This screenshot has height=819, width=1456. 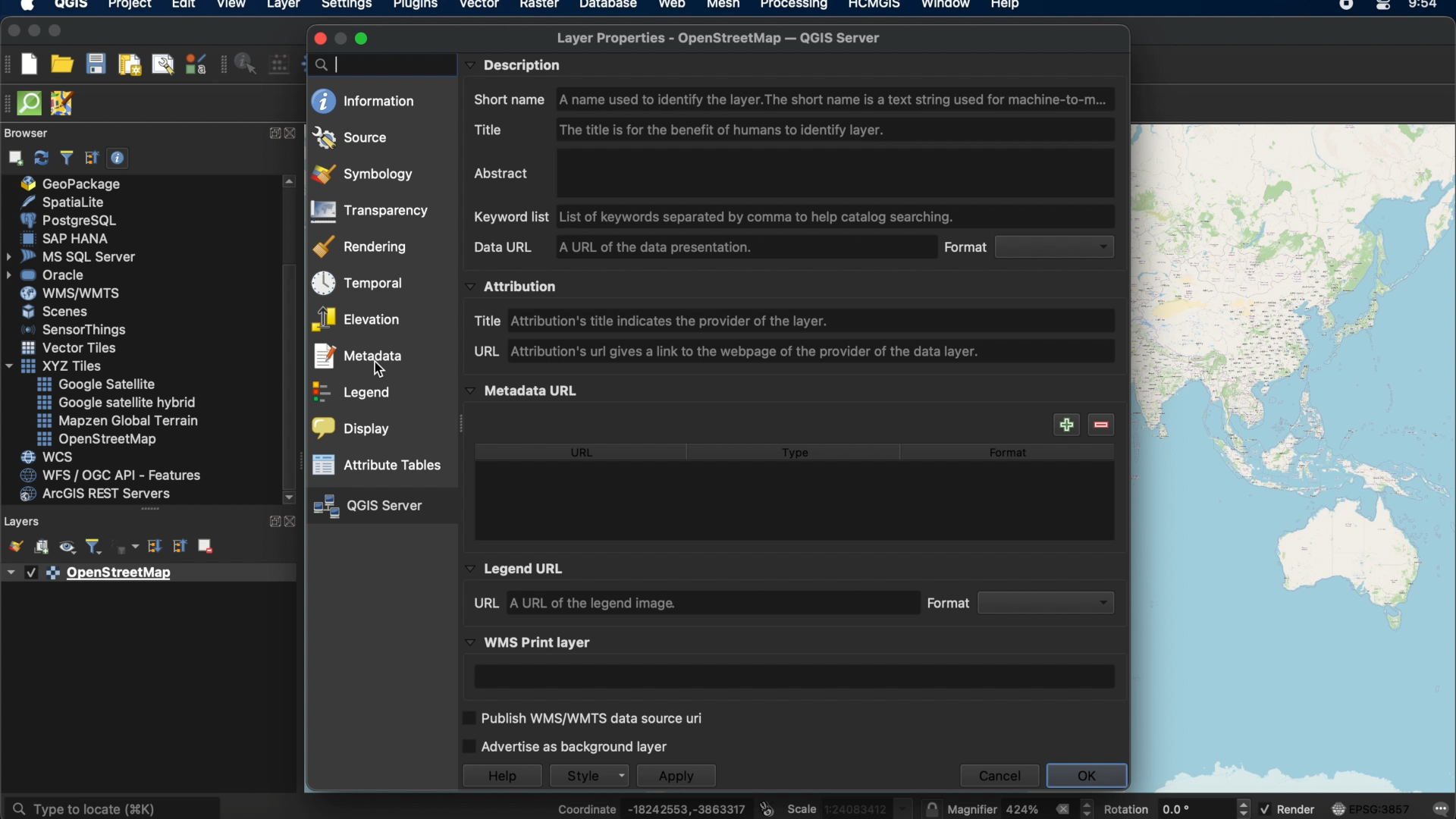 I want to click on legend url, so click(x=517, y=568).